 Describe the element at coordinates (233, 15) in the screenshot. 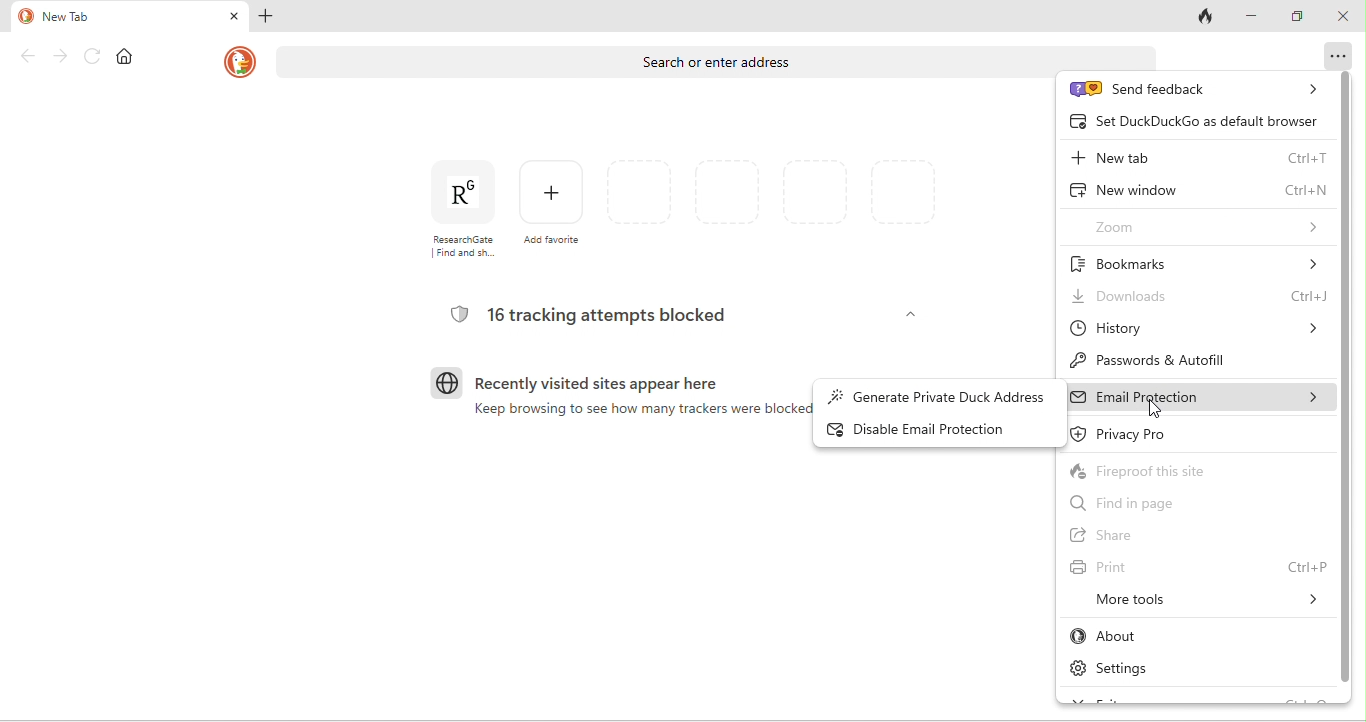

I see `close tab` at that location.